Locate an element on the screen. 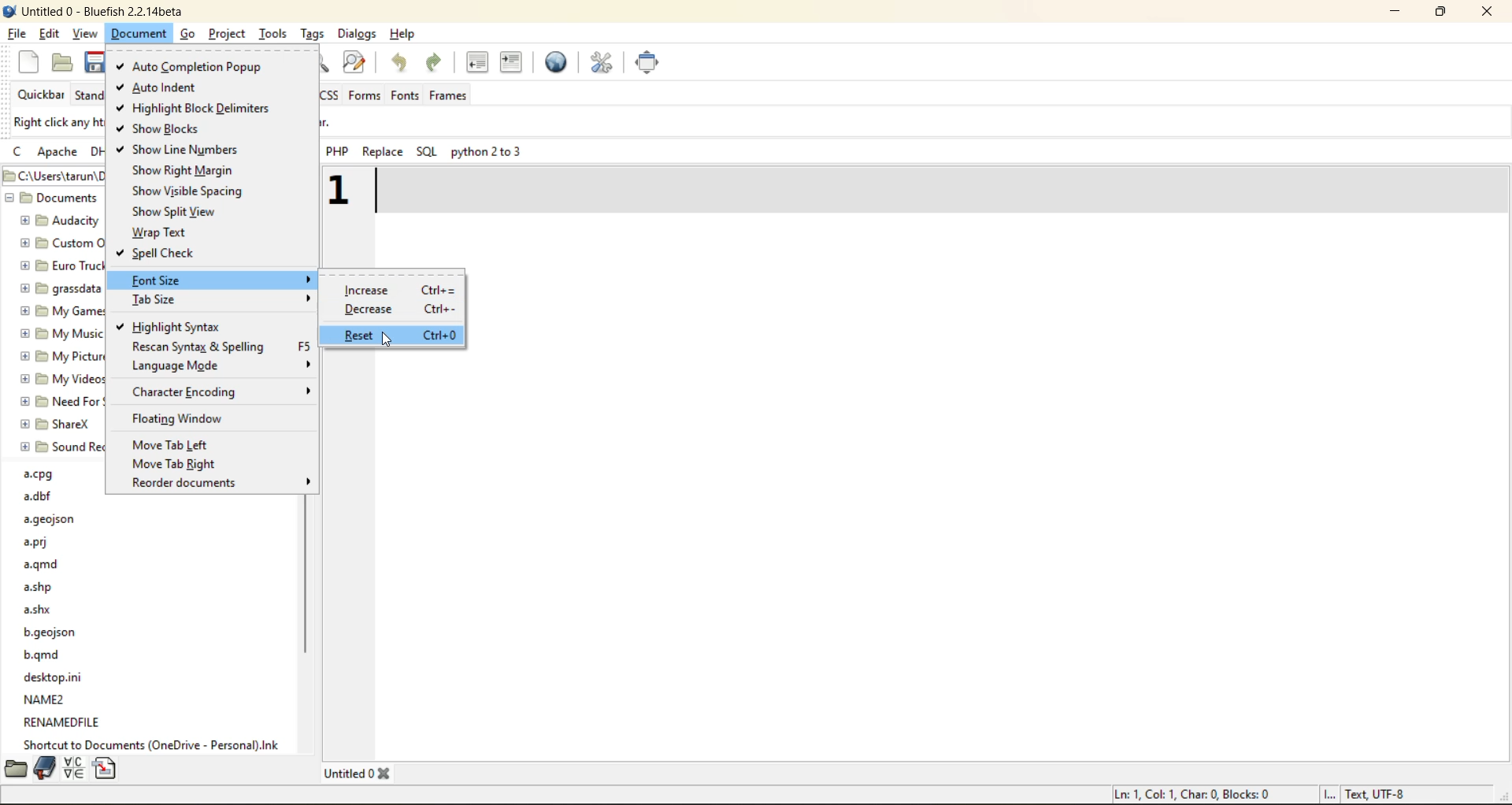 The height and width of the screenshot is (805, 1512). show split view is located at coordinates (174, 212).